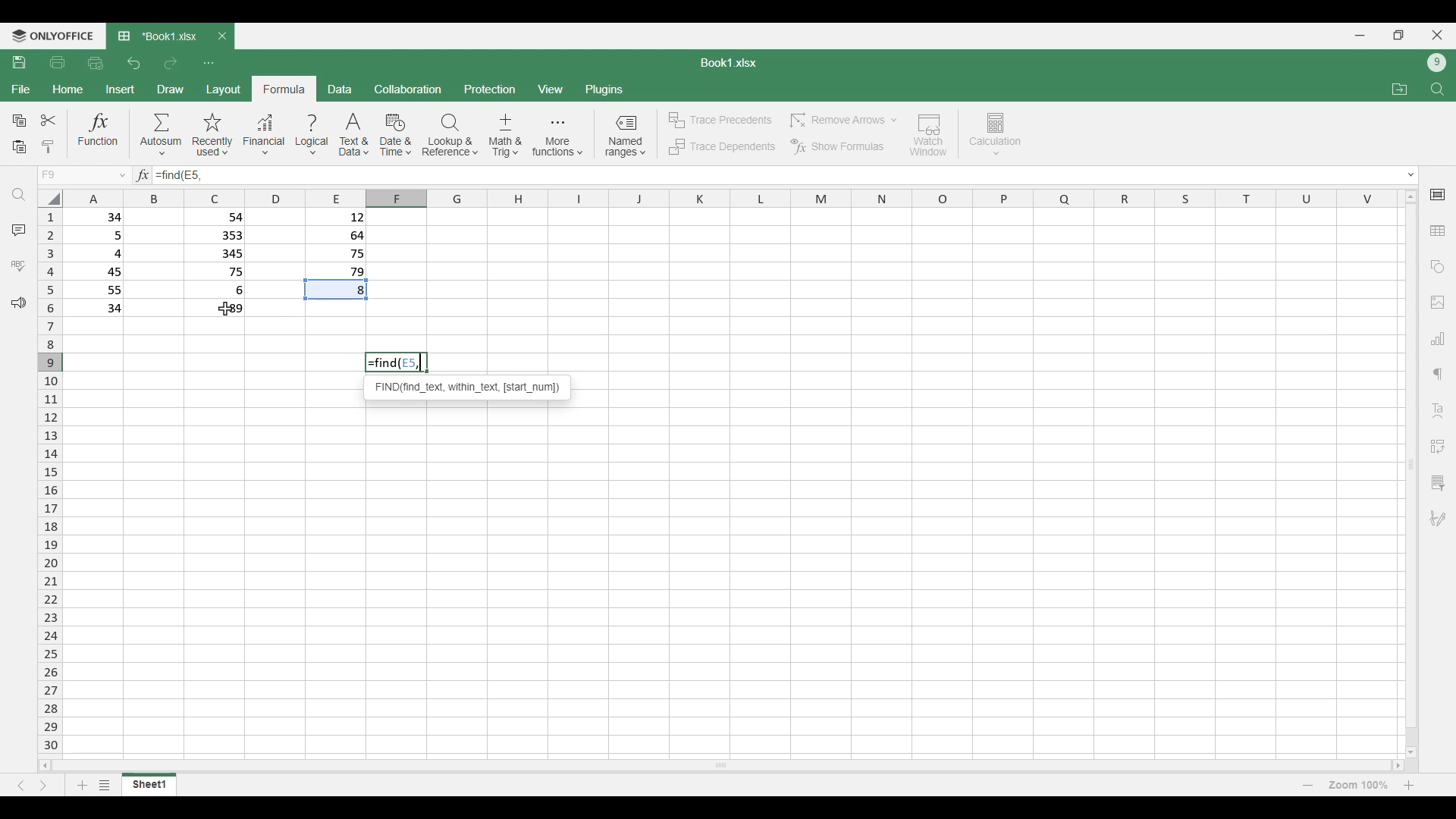 This screenshot has width=1456, height=819. What do you see at coordinates (18, 303) in the screenshot?
I see `Feedback and support` at bounding box center [18, 303].